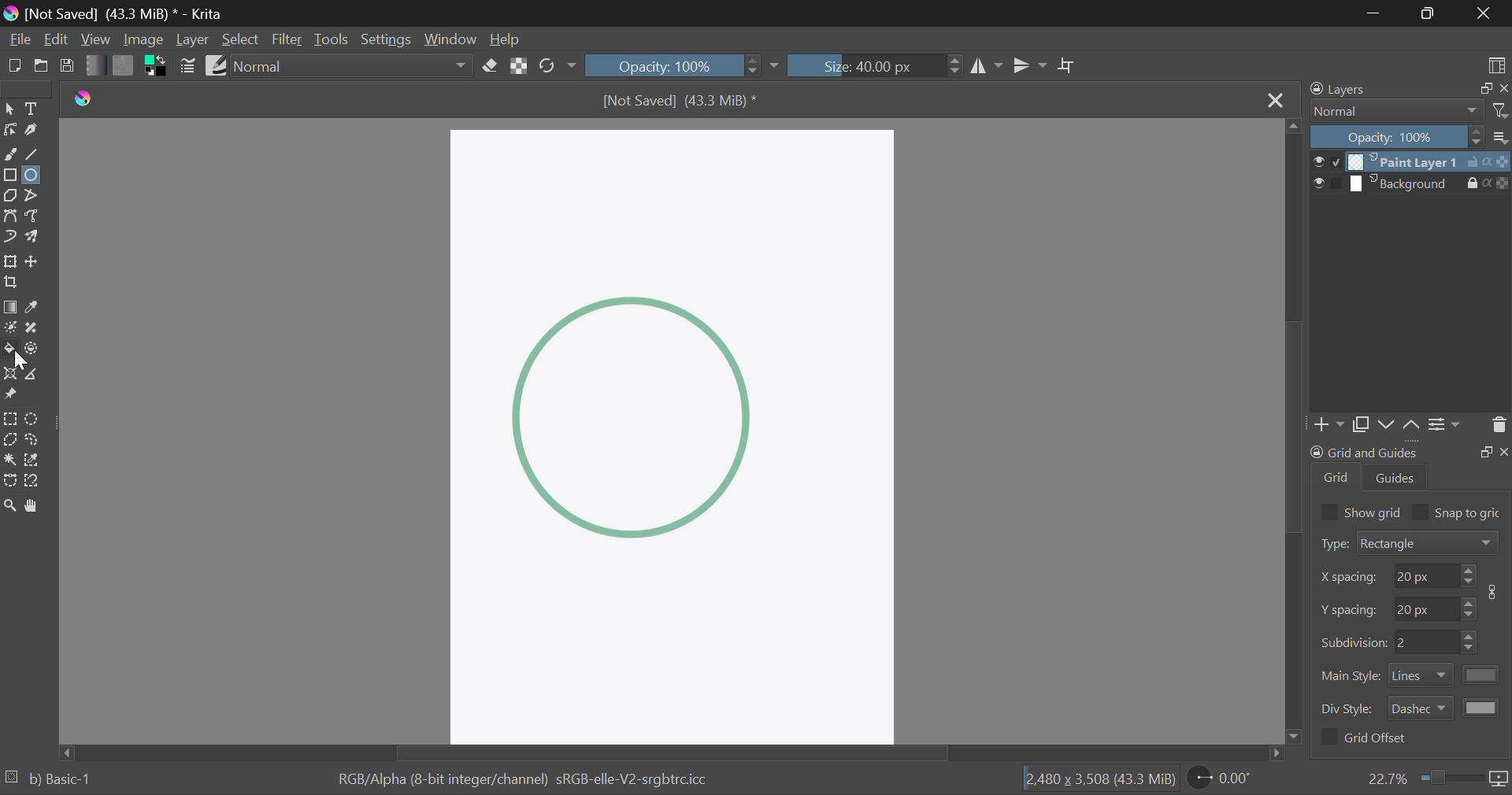  Describe the element at coordinates (32, 461) in the screenshot. I see `Similar Color Selection` at that location.